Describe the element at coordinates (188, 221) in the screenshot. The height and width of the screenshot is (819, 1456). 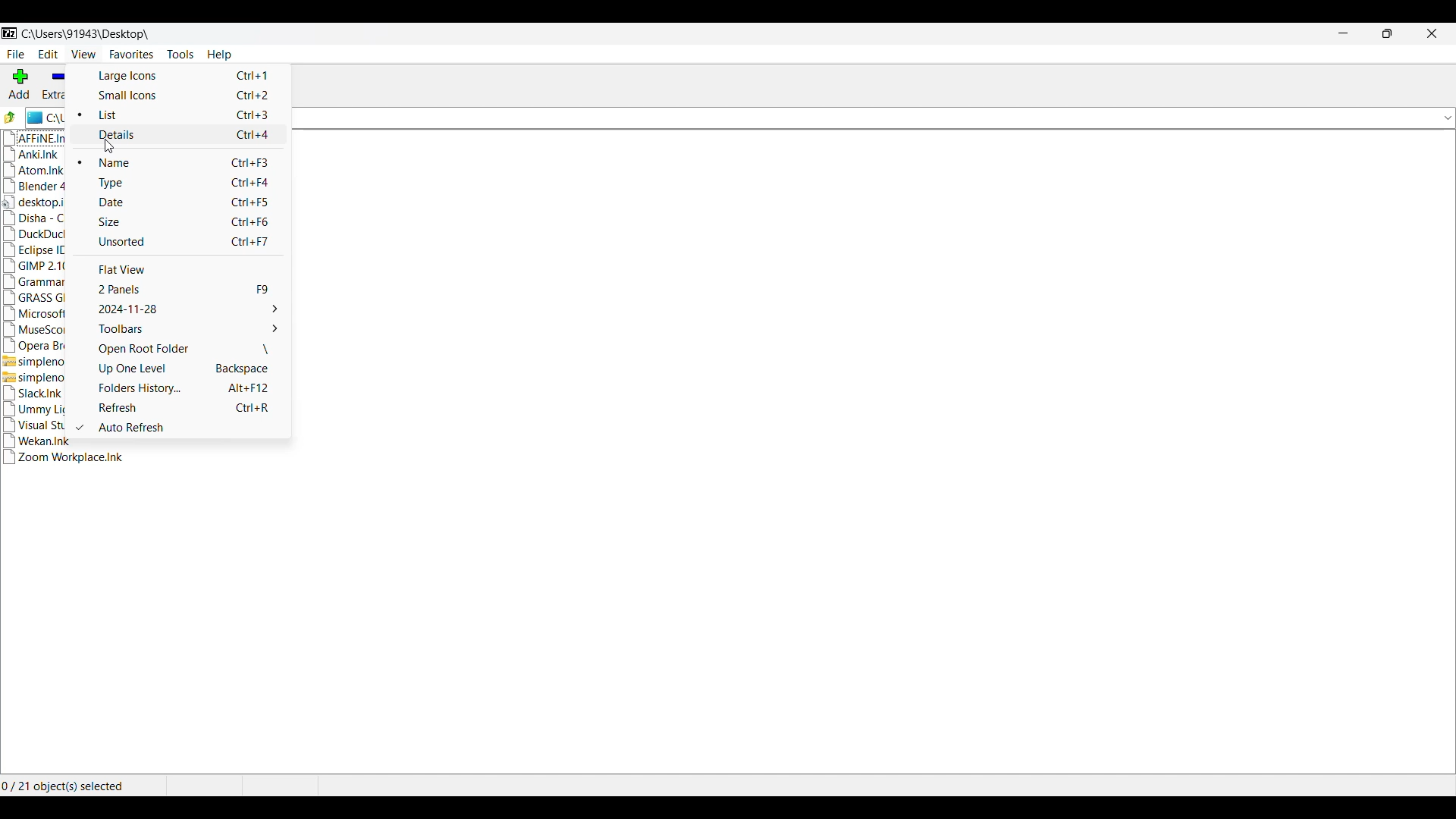
I see `Size` at that location.